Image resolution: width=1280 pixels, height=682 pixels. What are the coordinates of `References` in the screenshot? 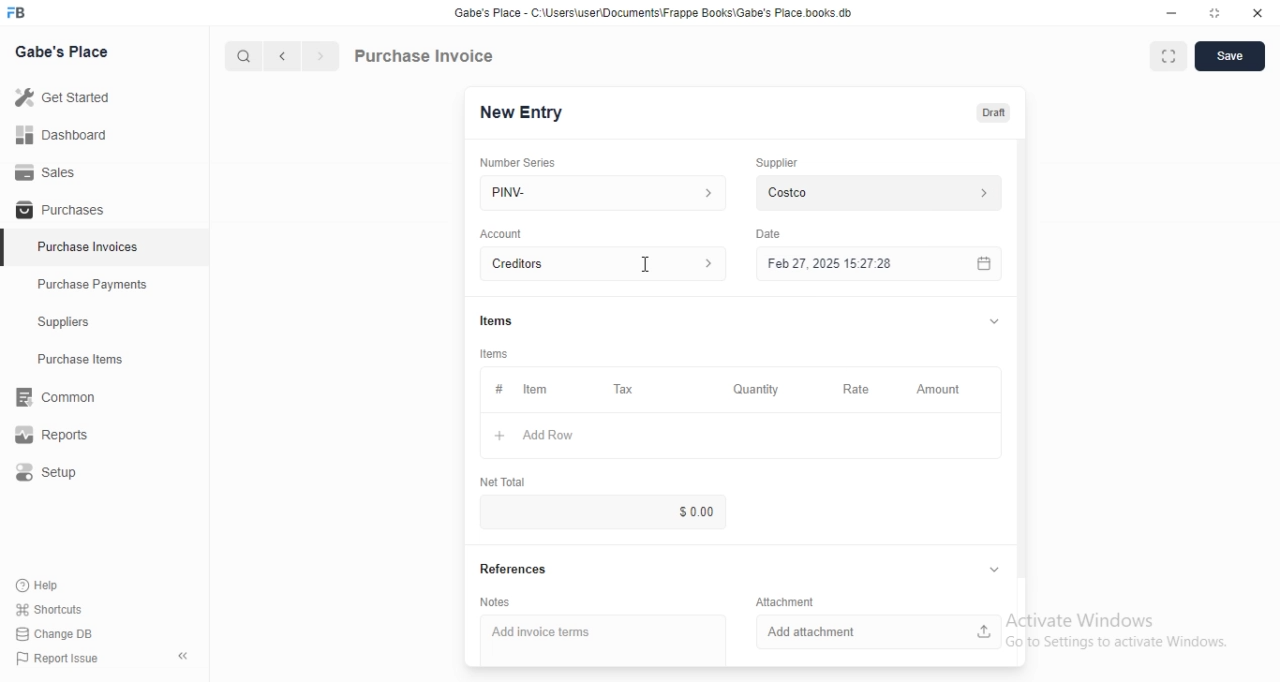 It's located at (514, 568).